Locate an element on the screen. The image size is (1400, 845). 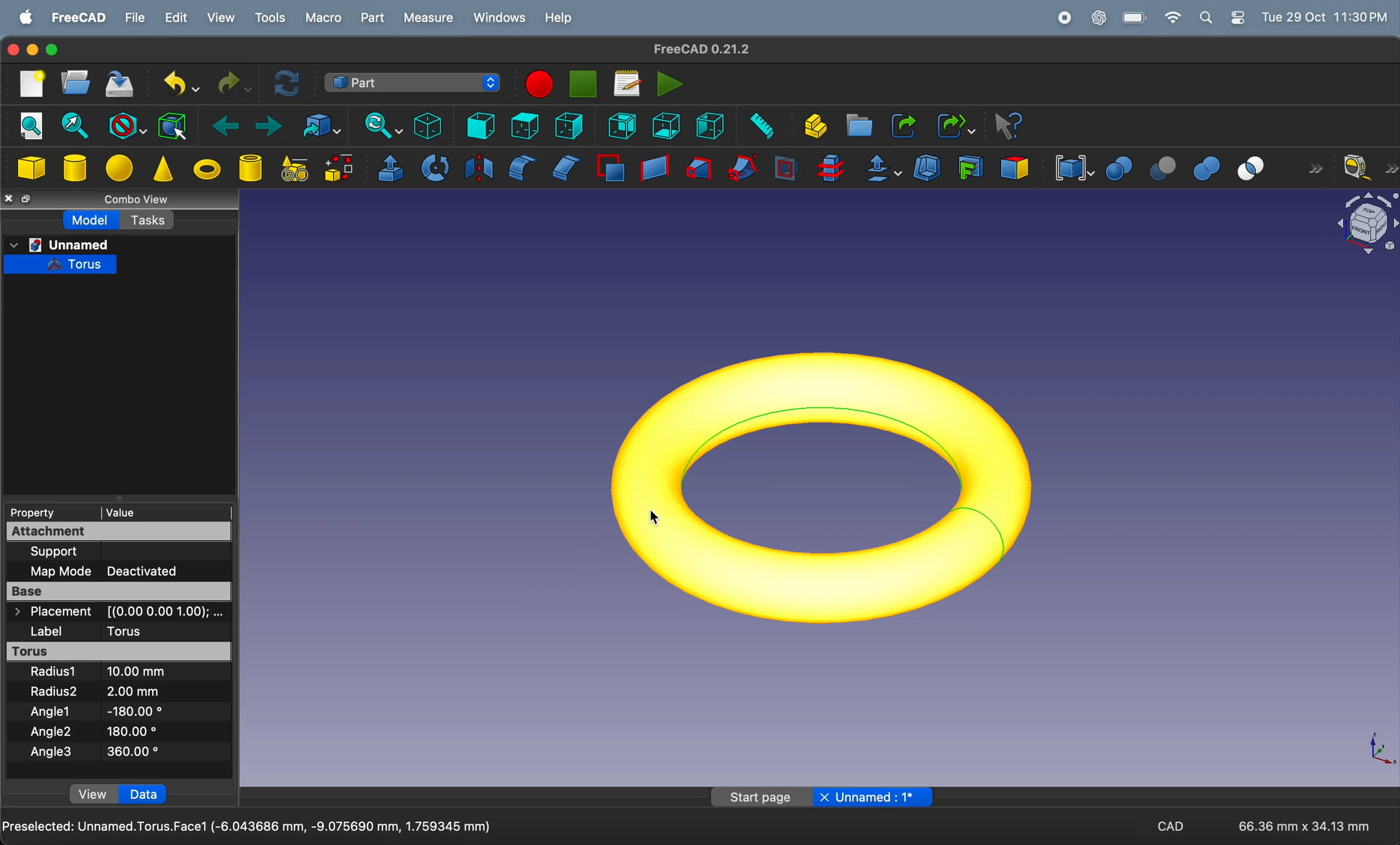
maximize is located at coordinates (52, 50).